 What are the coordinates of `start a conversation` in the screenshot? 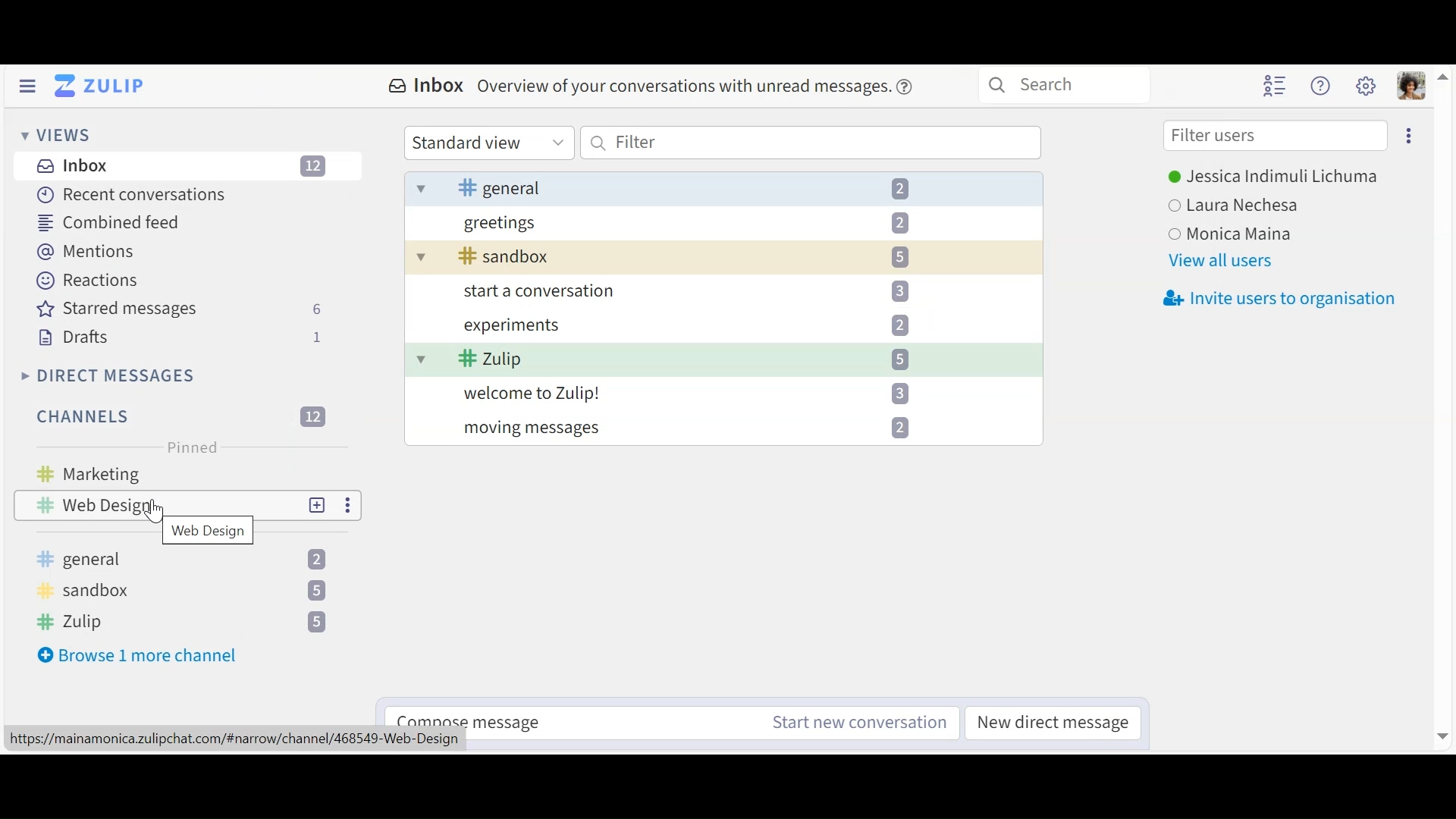 It's located at (724, 290).